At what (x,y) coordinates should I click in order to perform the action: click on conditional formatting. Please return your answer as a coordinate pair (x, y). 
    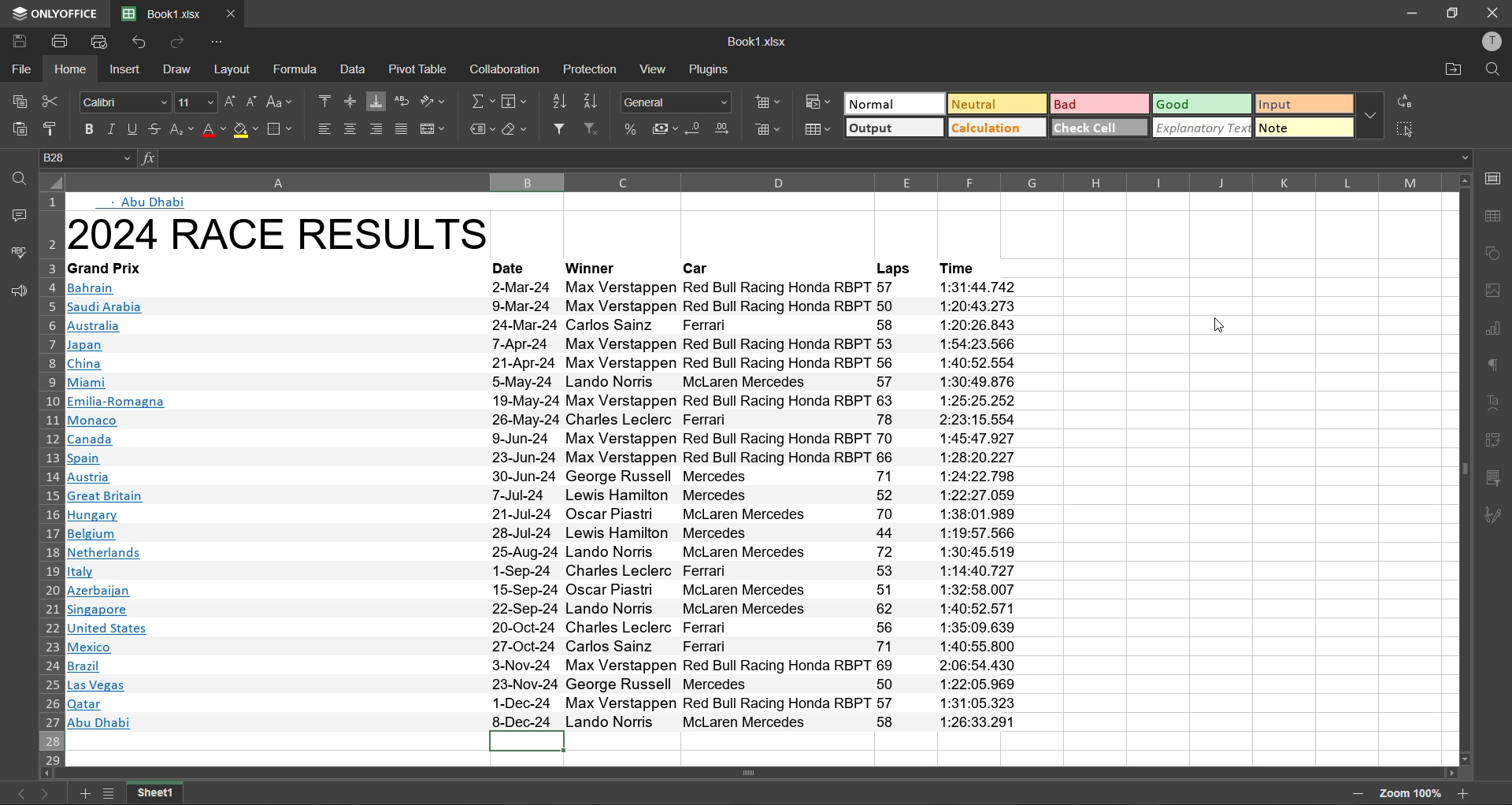
    Looking at the image, I should click on (819, 102).